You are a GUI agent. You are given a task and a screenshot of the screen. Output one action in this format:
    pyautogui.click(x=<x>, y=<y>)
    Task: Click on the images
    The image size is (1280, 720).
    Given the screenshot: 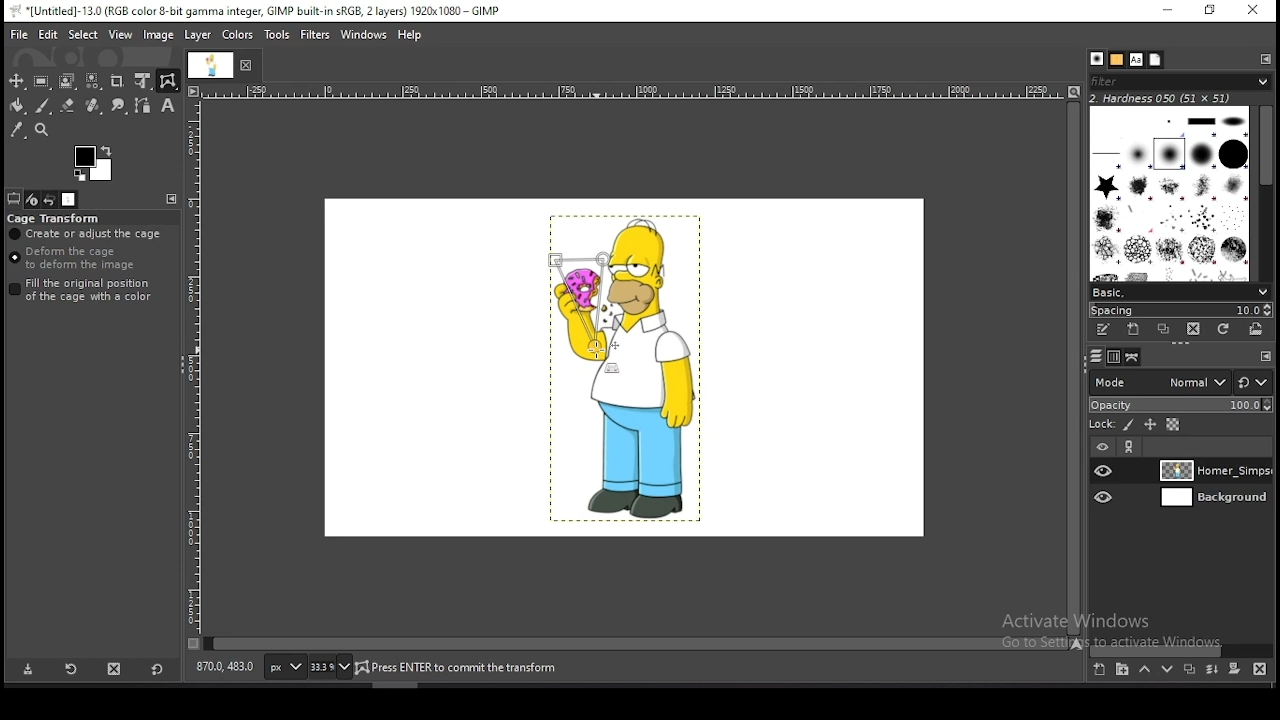 What is the action you would take?
    pyautogui.click(x=70, y=200)
    